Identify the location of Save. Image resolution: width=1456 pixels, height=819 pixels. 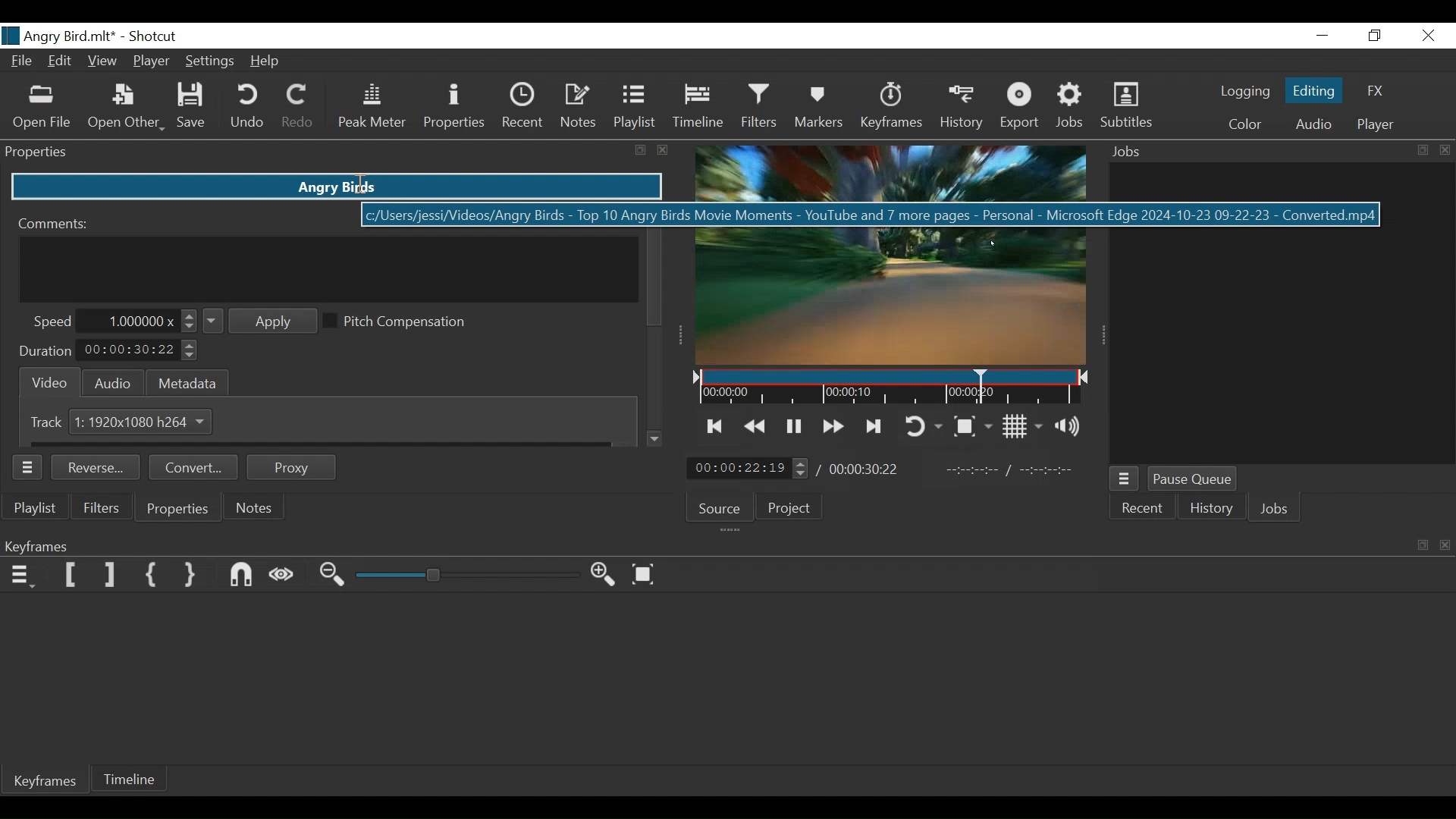
(193, 108).